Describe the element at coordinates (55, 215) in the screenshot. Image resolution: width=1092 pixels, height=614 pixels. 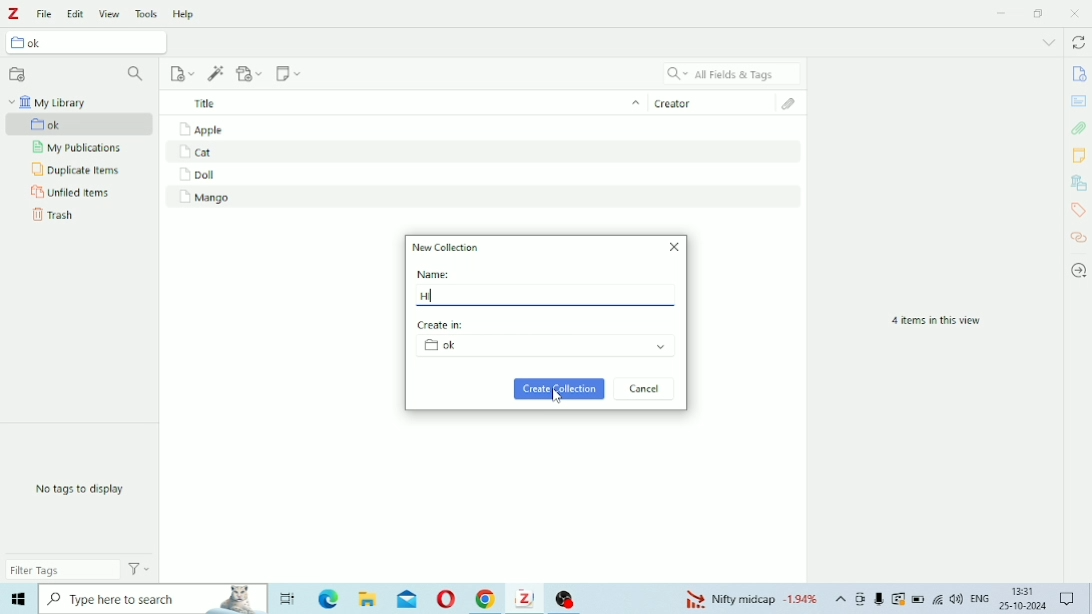
I see `Trash` at that location.